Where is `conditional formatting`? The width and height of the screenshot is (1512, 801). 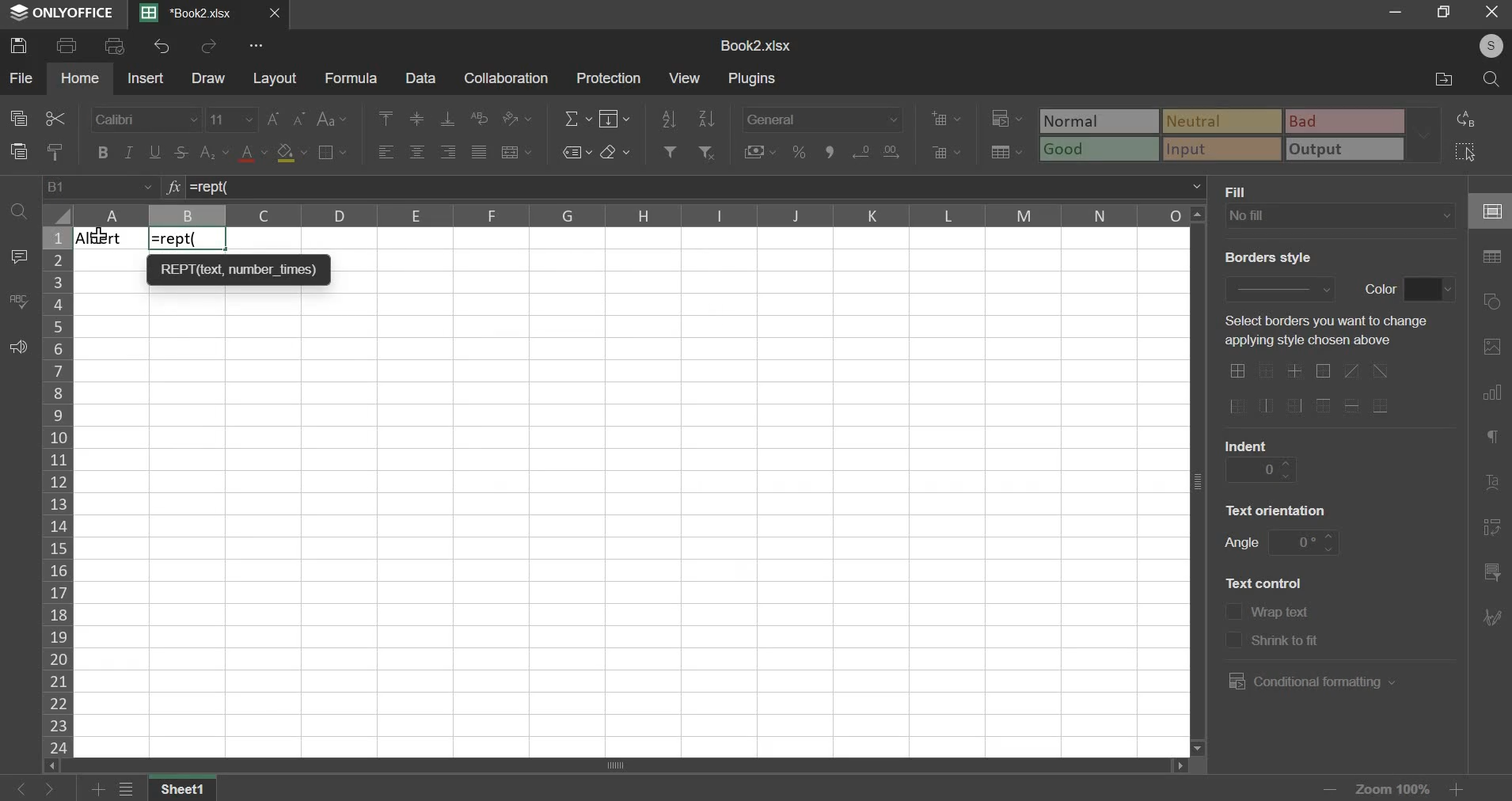 conditional formatting is located at coordinates (1316, 682).